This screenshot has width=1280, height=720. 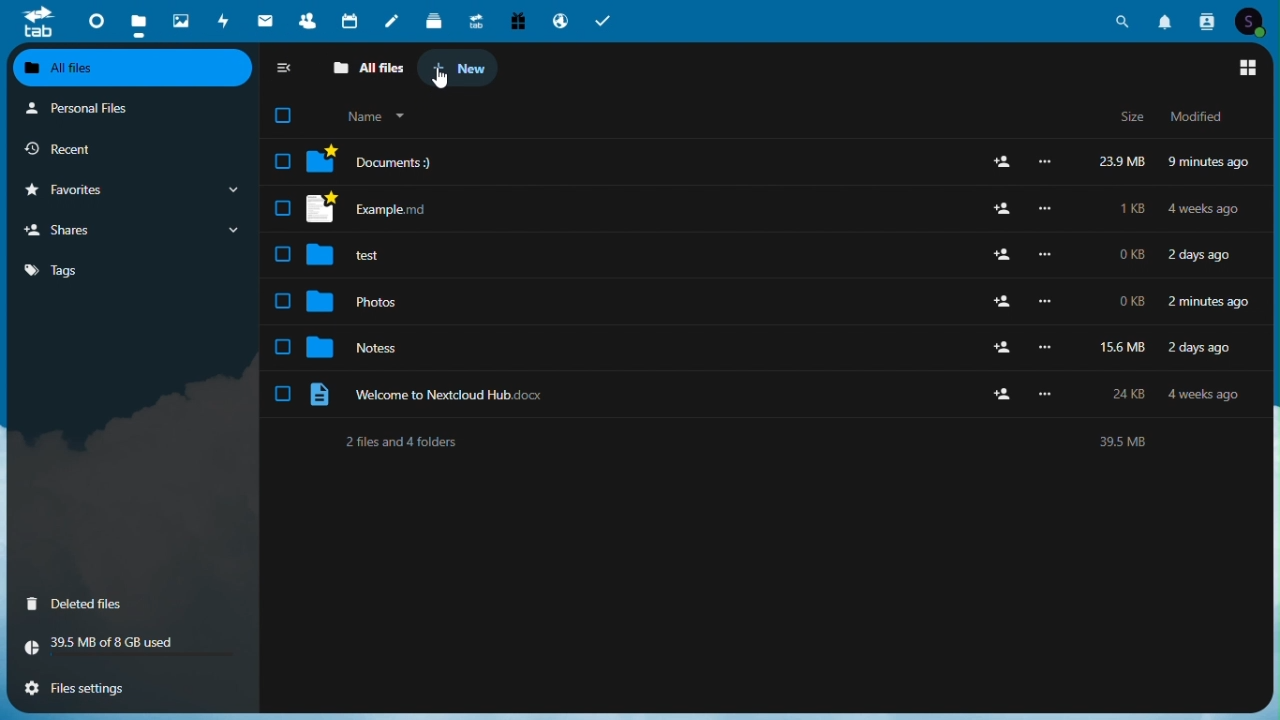 What do you see at coordinates (282, 255) in the screenshot?
I see `select` at bounding box center [282, 255].